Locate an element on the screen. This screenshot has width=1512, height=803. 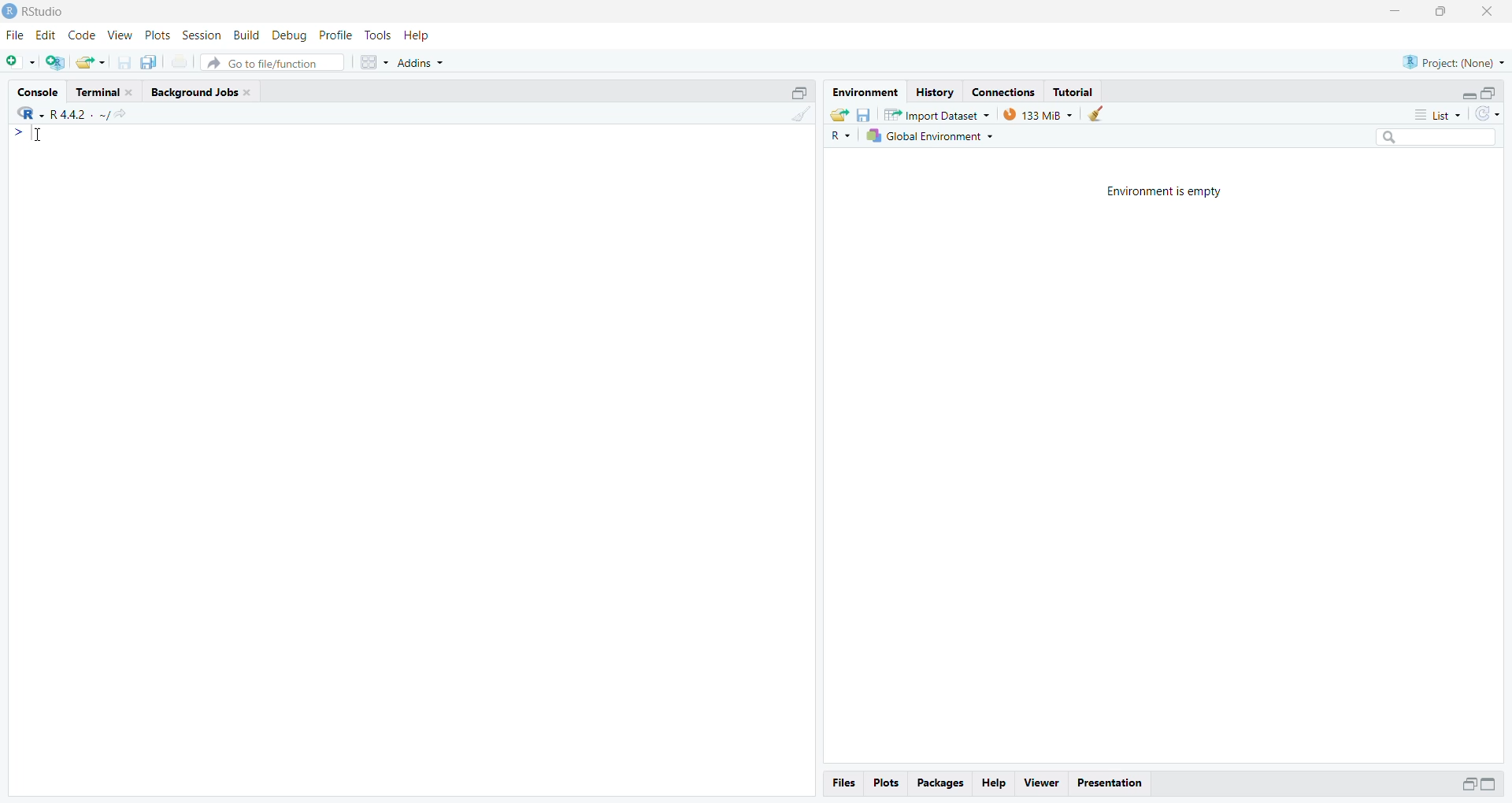
Save workspace as is located at coordinates (866, 116).